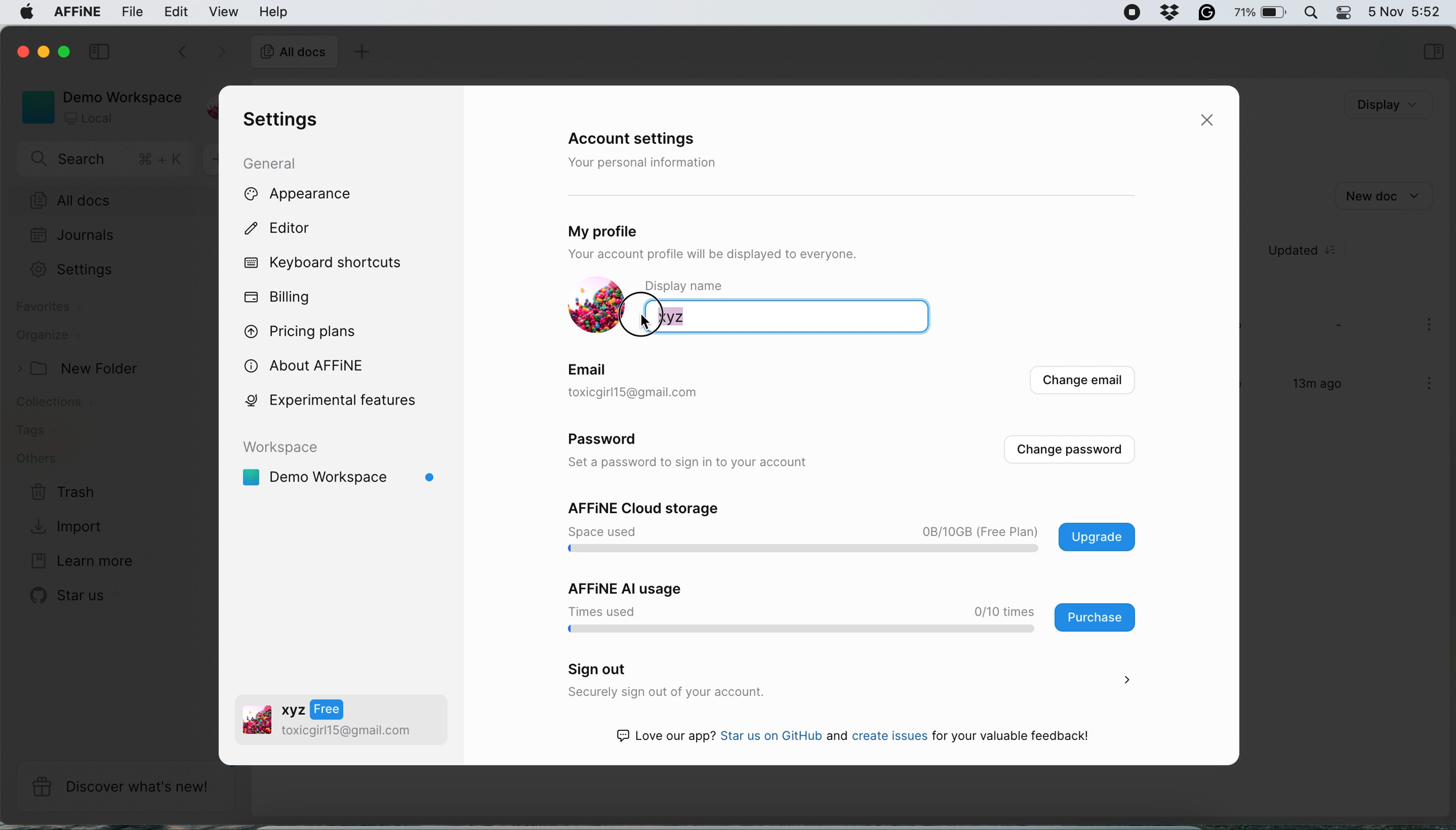 Image resolution: width=1456 pixels, height=830 pixels. I want to click on demo workspace, so click(97, 106).